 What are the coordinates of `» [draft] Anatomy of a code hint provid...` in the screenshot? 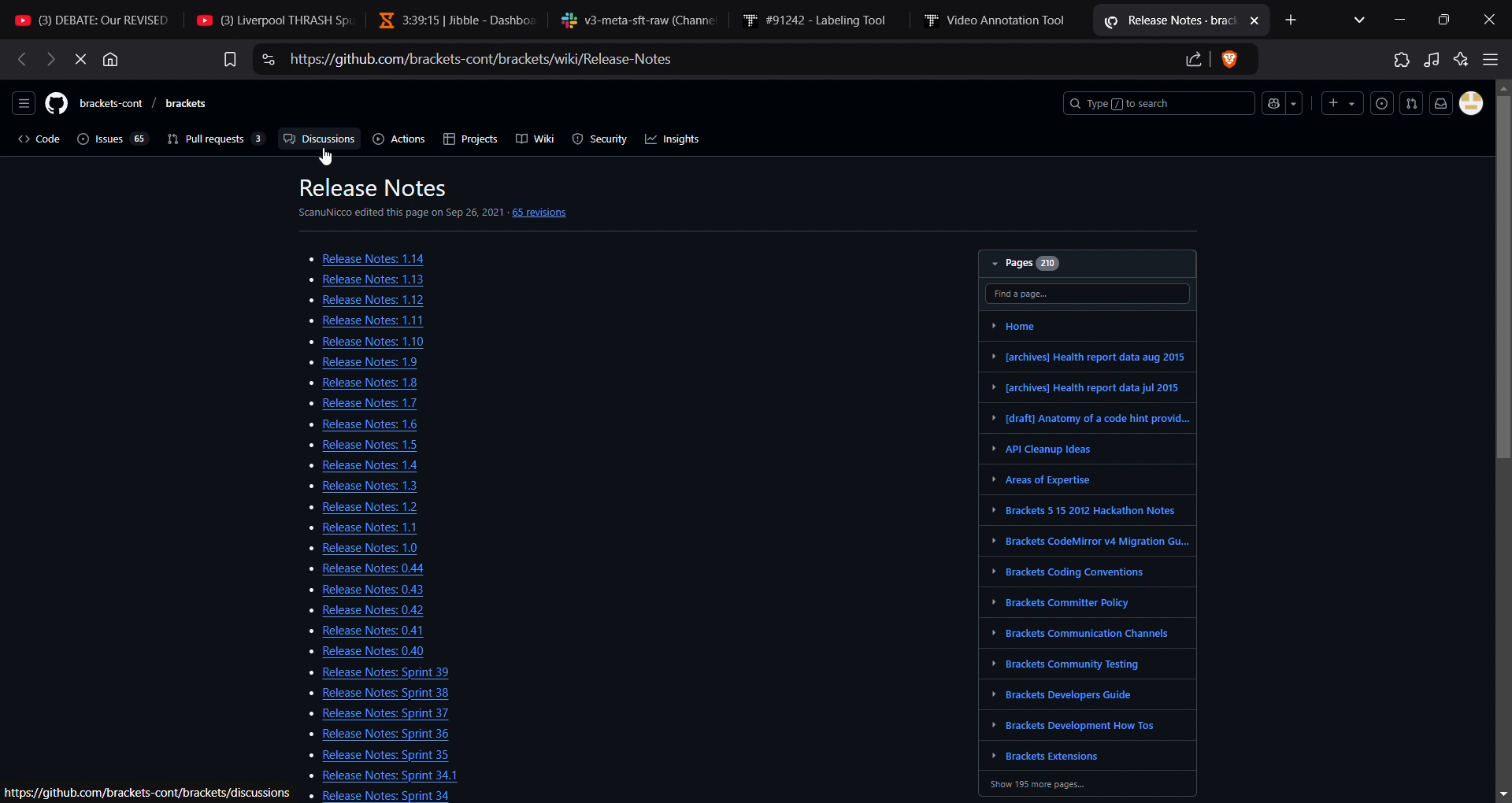 It's located at (1083, 418).